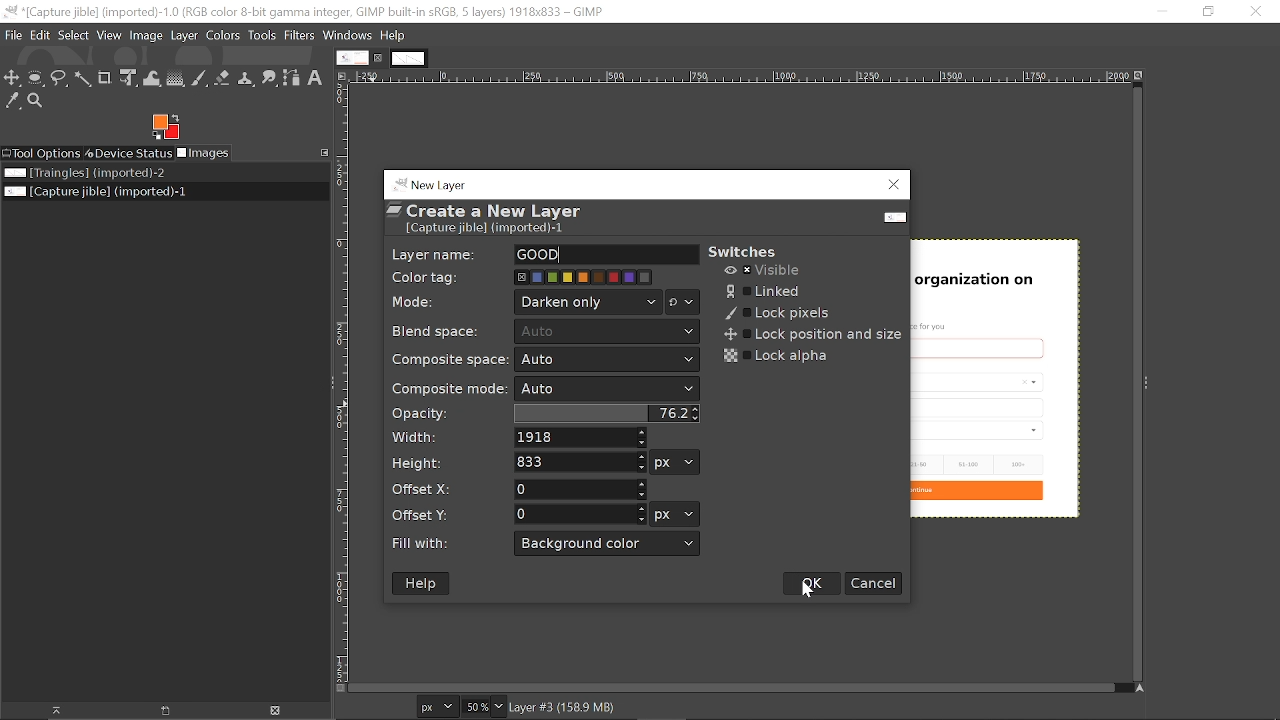 This screenshot has width=1280, height=720. What do you see at coordinates (73, 36) in the screenshot?
I see `Select` at bounding box center [73, 36].